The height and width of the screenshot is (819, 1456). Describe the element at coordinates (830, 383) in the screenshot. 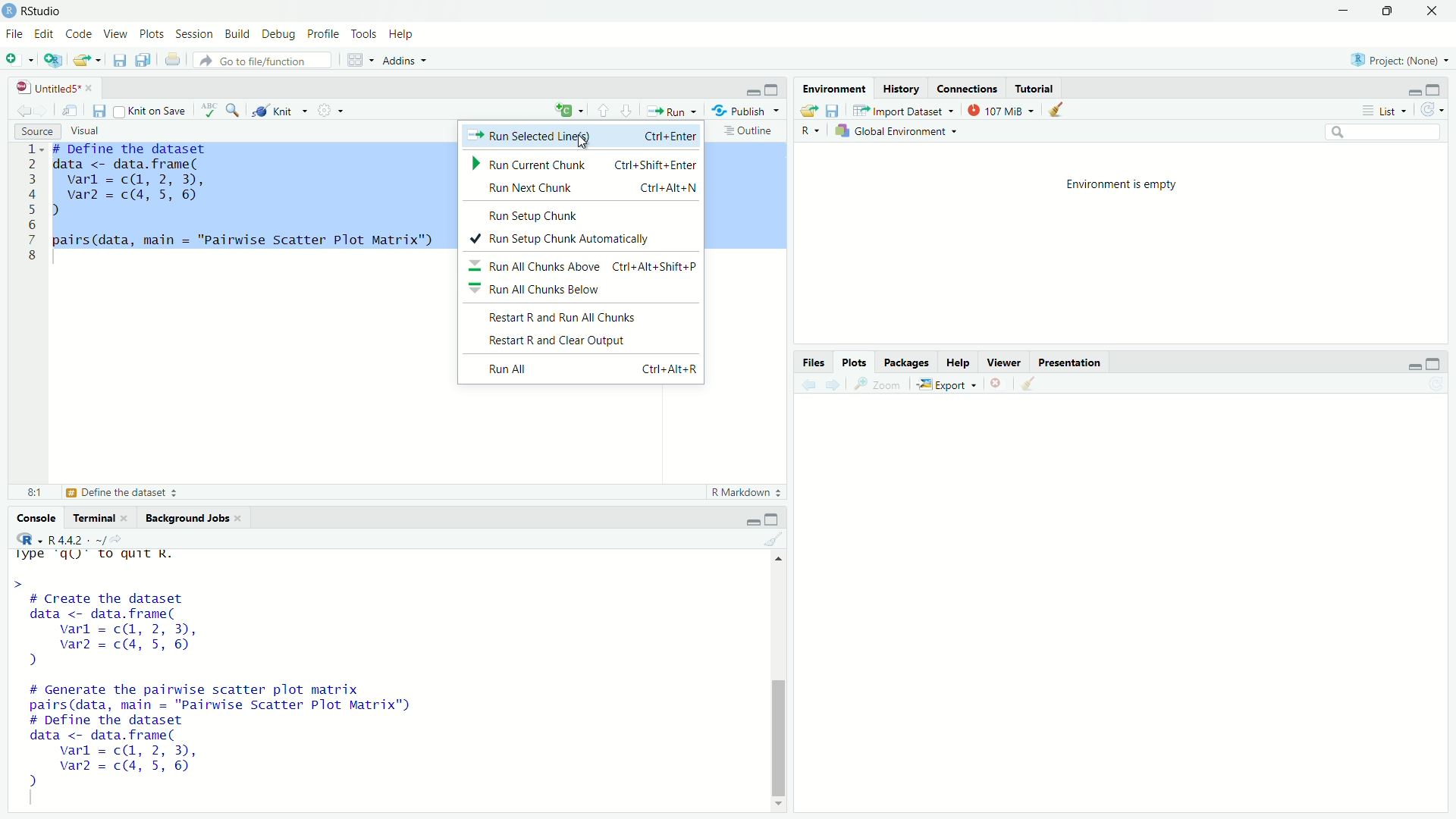

I see `Go forward to the next source location (Ctrl + F10)` at that location.